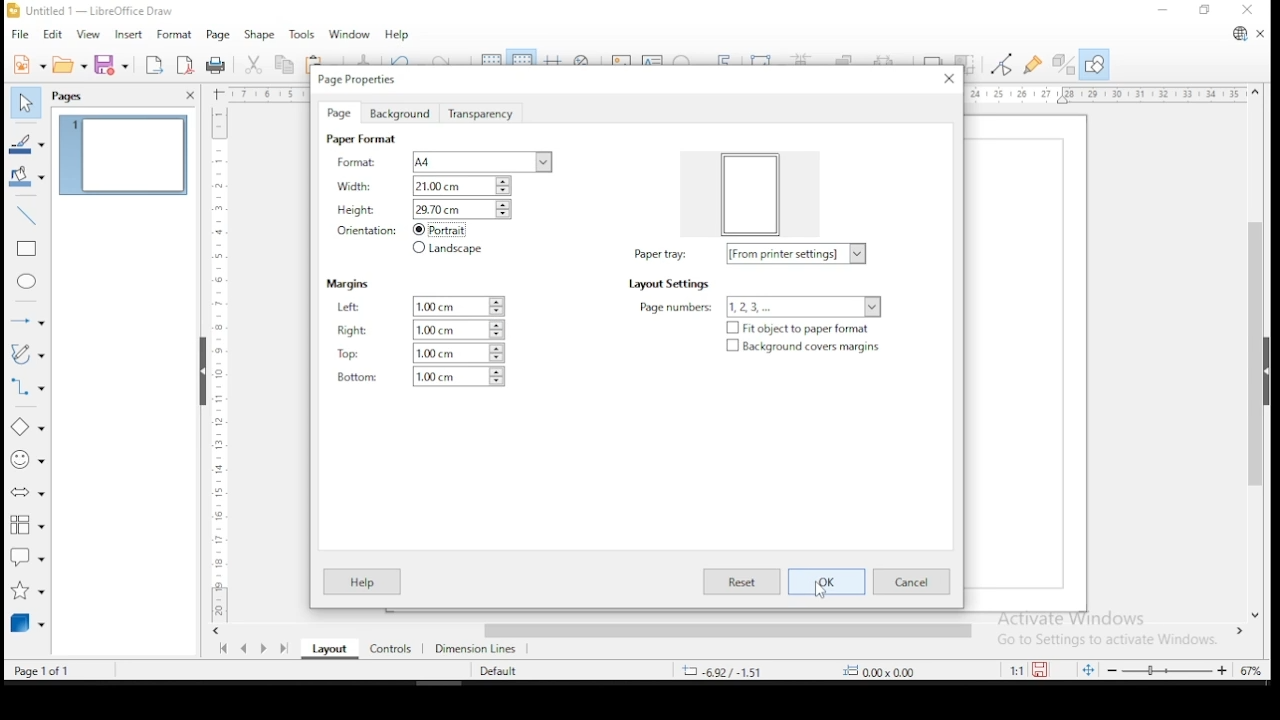 This screenshot has height=720, width=1280. Describe the element at coordinates (121, 156) in the screenshot. I see `page 1` at that location.